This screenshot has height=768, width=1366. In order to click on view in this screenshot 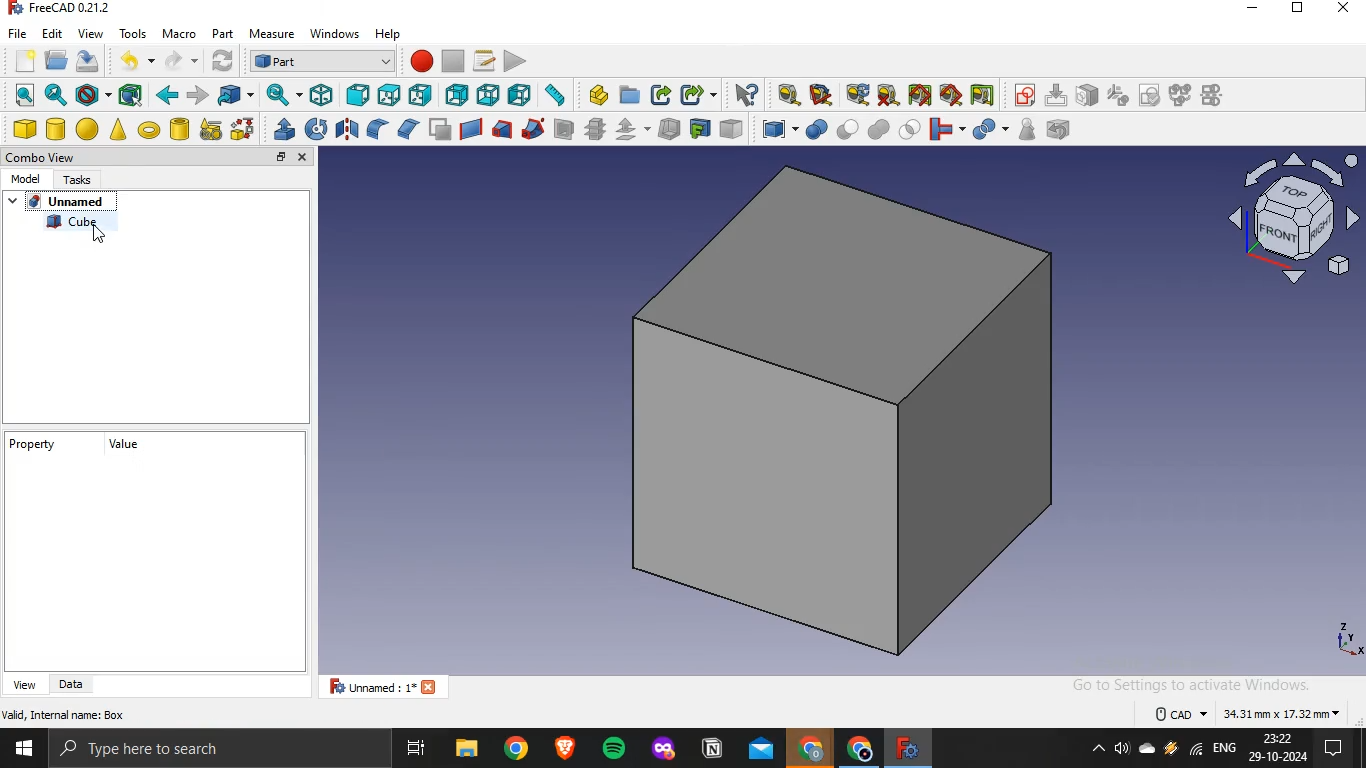, I will do `click(90, 33)`.